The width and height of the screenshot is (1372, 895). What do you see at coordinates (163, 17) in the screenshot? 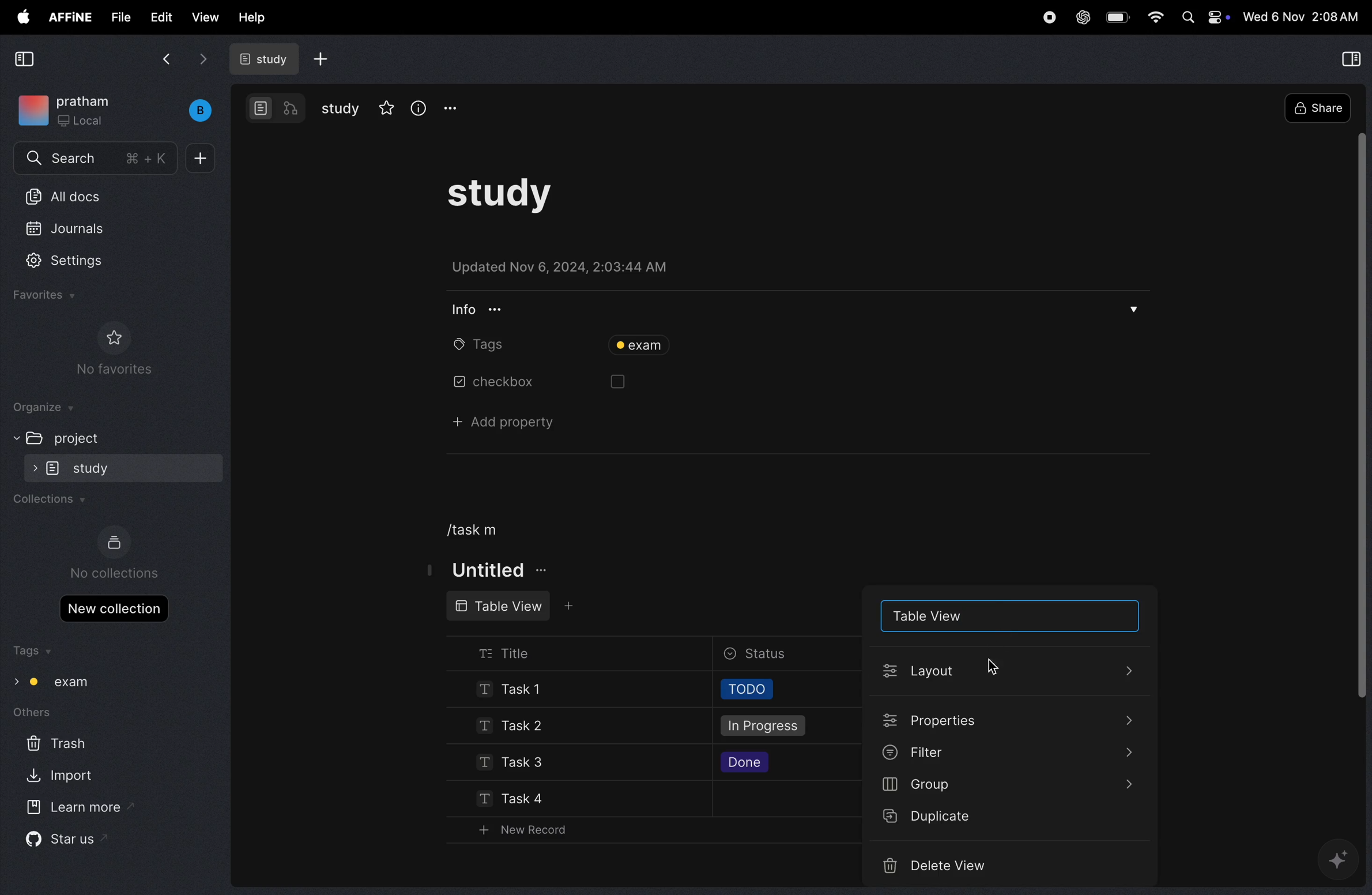
I see `edit` at bounding box center [163, 17].